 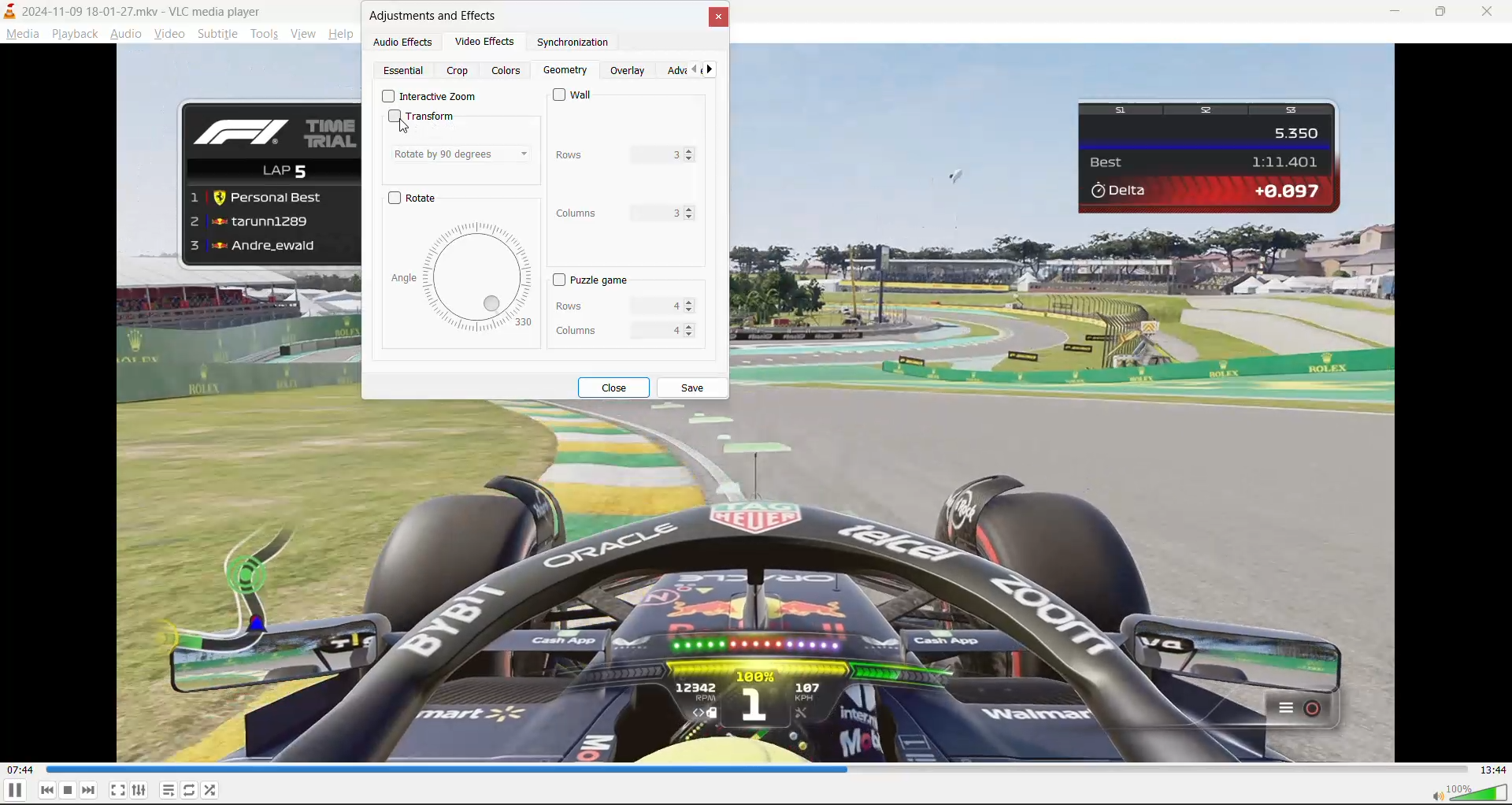 What do you see at coordinates (693, 312) in the screenshot?
I see `Decrease` at bounding box center [693, 312].